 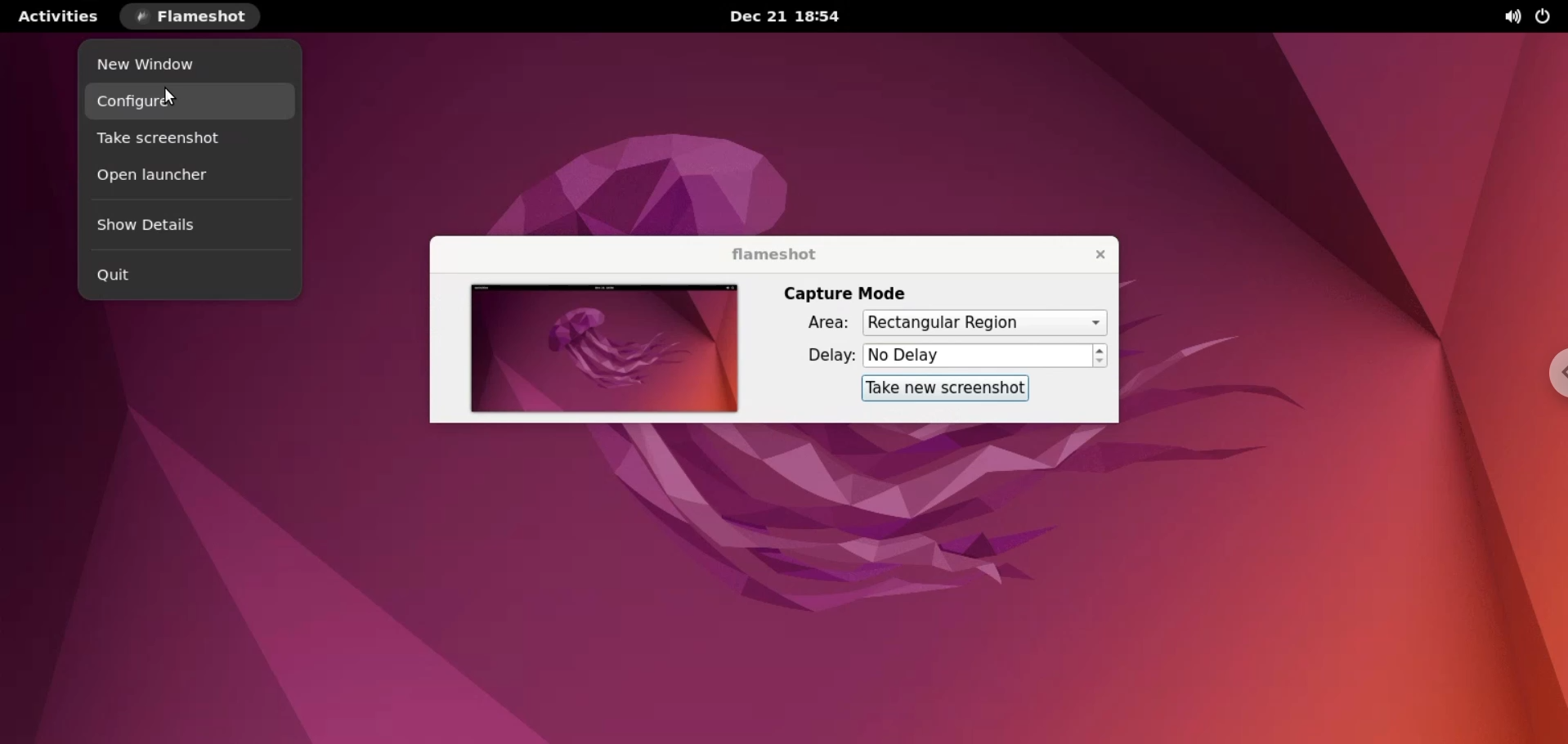 I want to click on chrome options, so click(x=1550, y=372).